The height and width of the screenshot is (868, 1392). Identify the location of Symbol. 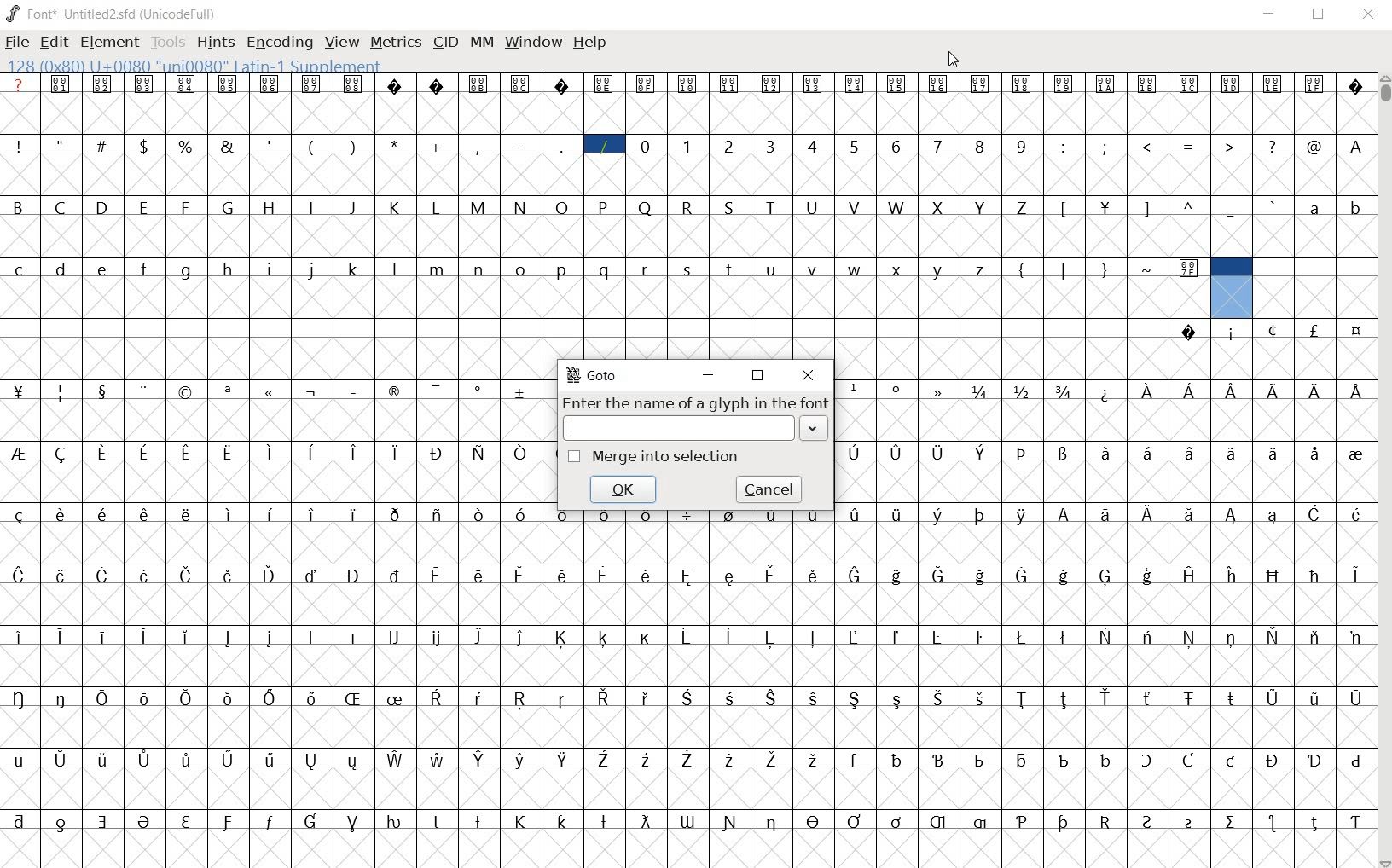
(395, 451).